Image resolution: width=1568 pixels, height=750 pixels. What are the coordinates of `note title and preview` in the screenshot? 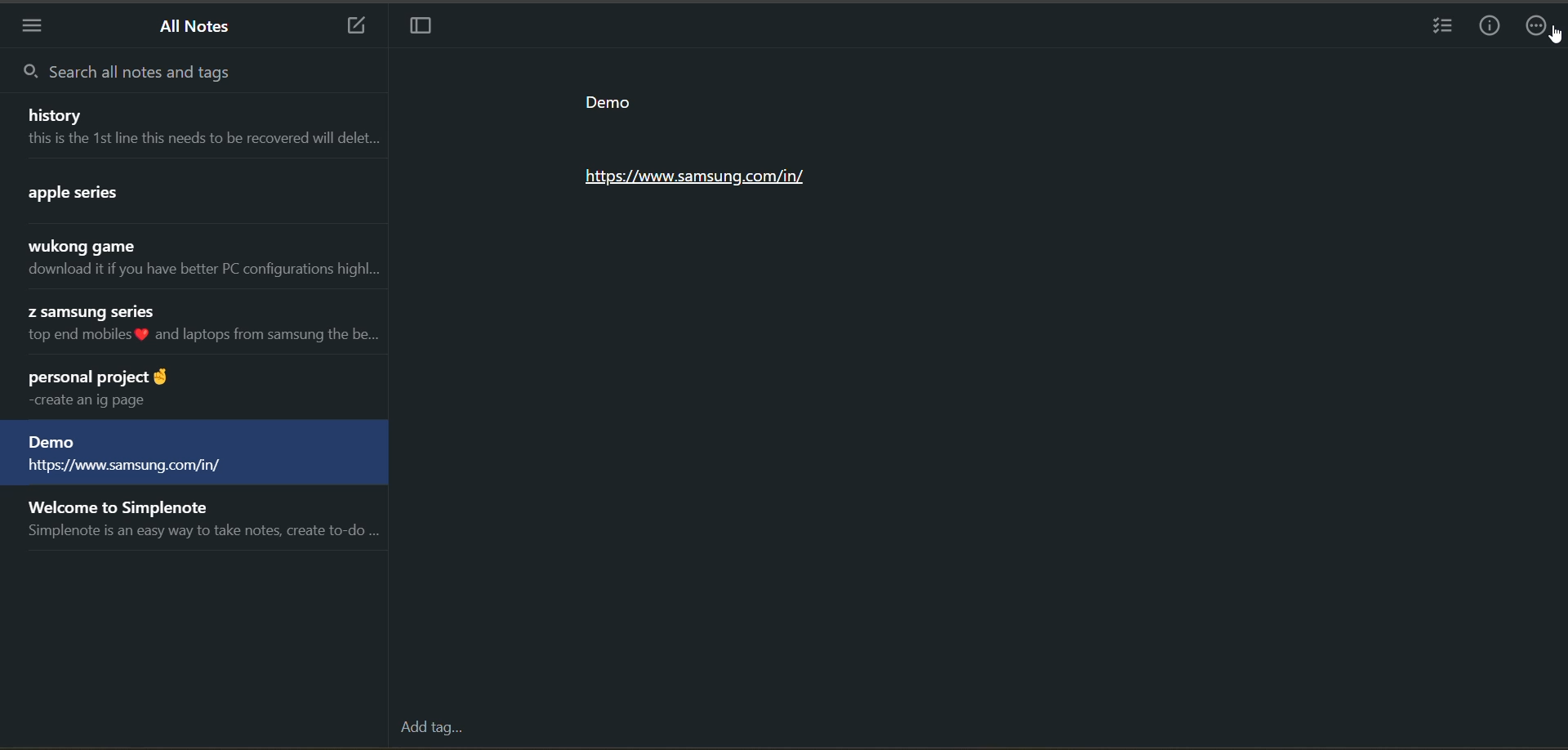 It's located at (194, 125).